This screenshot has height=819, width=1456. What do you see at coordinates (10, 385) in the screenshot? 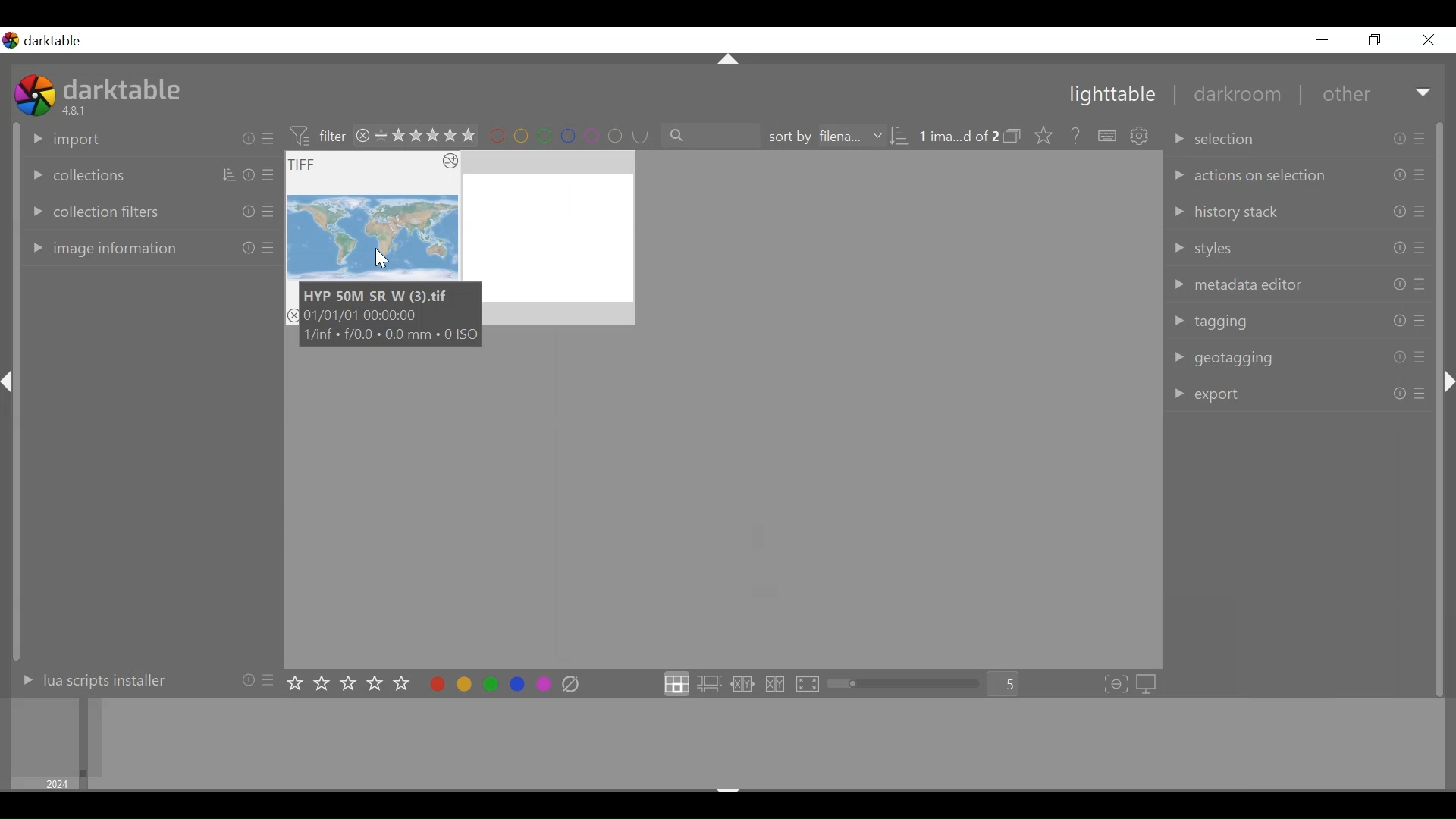
I see `hide` at bounding box center [10, 385].